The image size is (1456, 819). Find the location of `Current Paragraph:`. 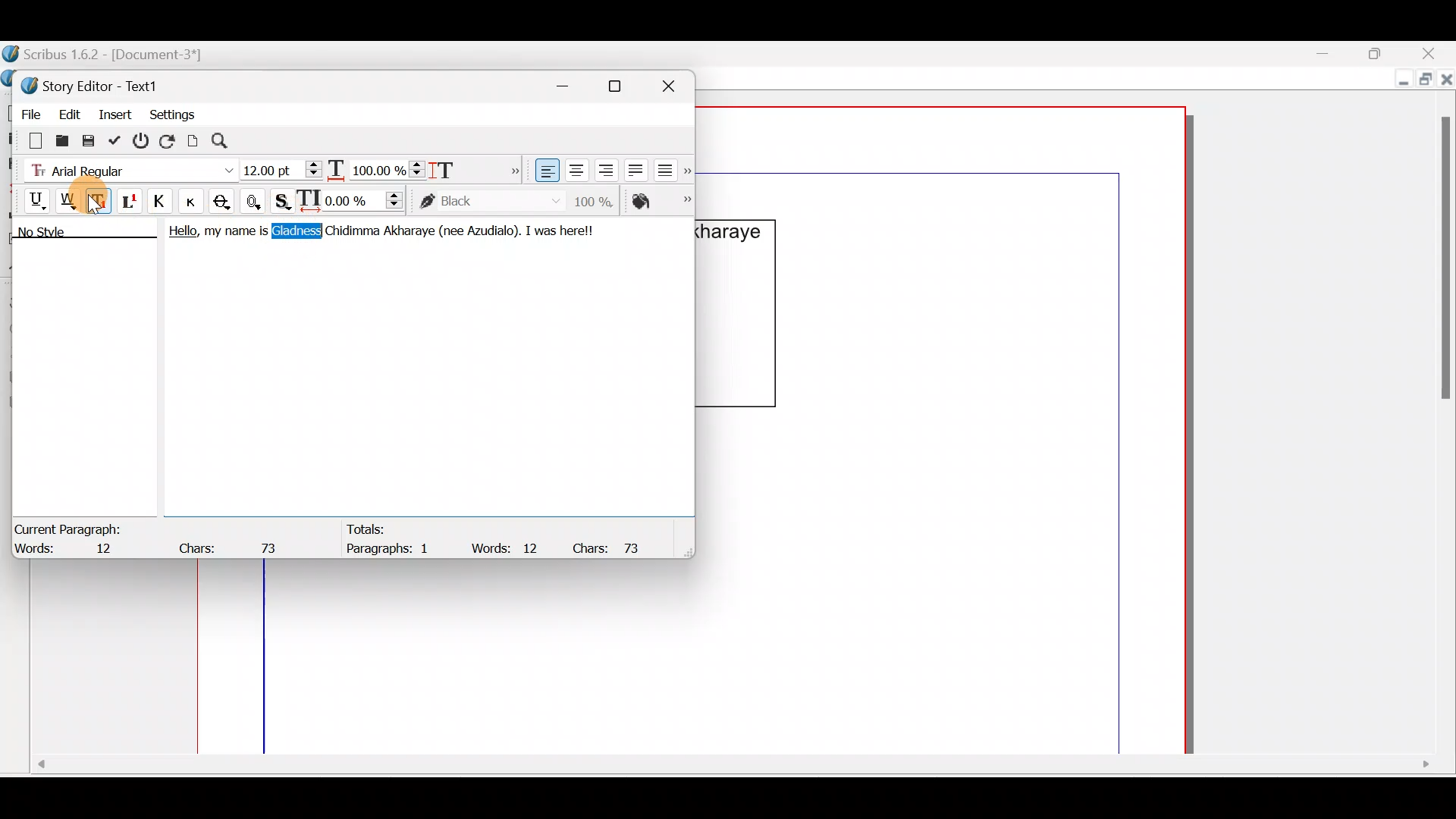

Current Paragraph: is located at coordinates (70, 527).